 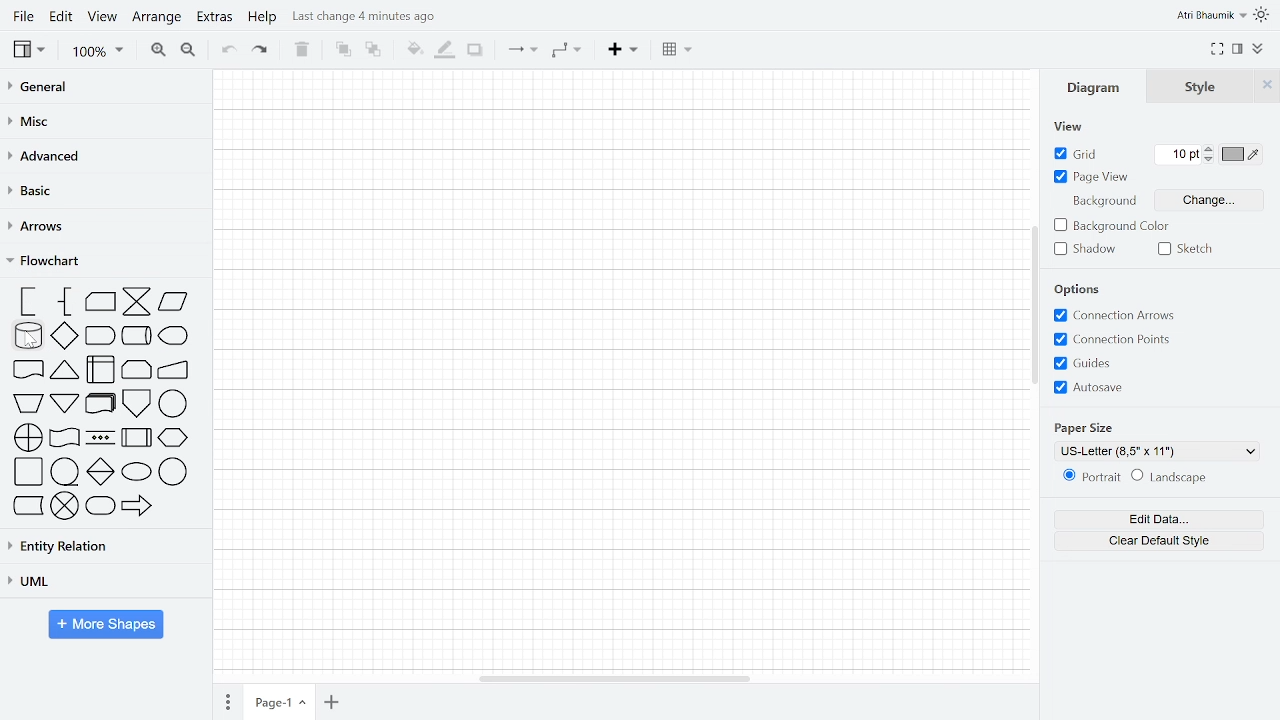 I want to click on Edit data, so click(x=1164, y=519).